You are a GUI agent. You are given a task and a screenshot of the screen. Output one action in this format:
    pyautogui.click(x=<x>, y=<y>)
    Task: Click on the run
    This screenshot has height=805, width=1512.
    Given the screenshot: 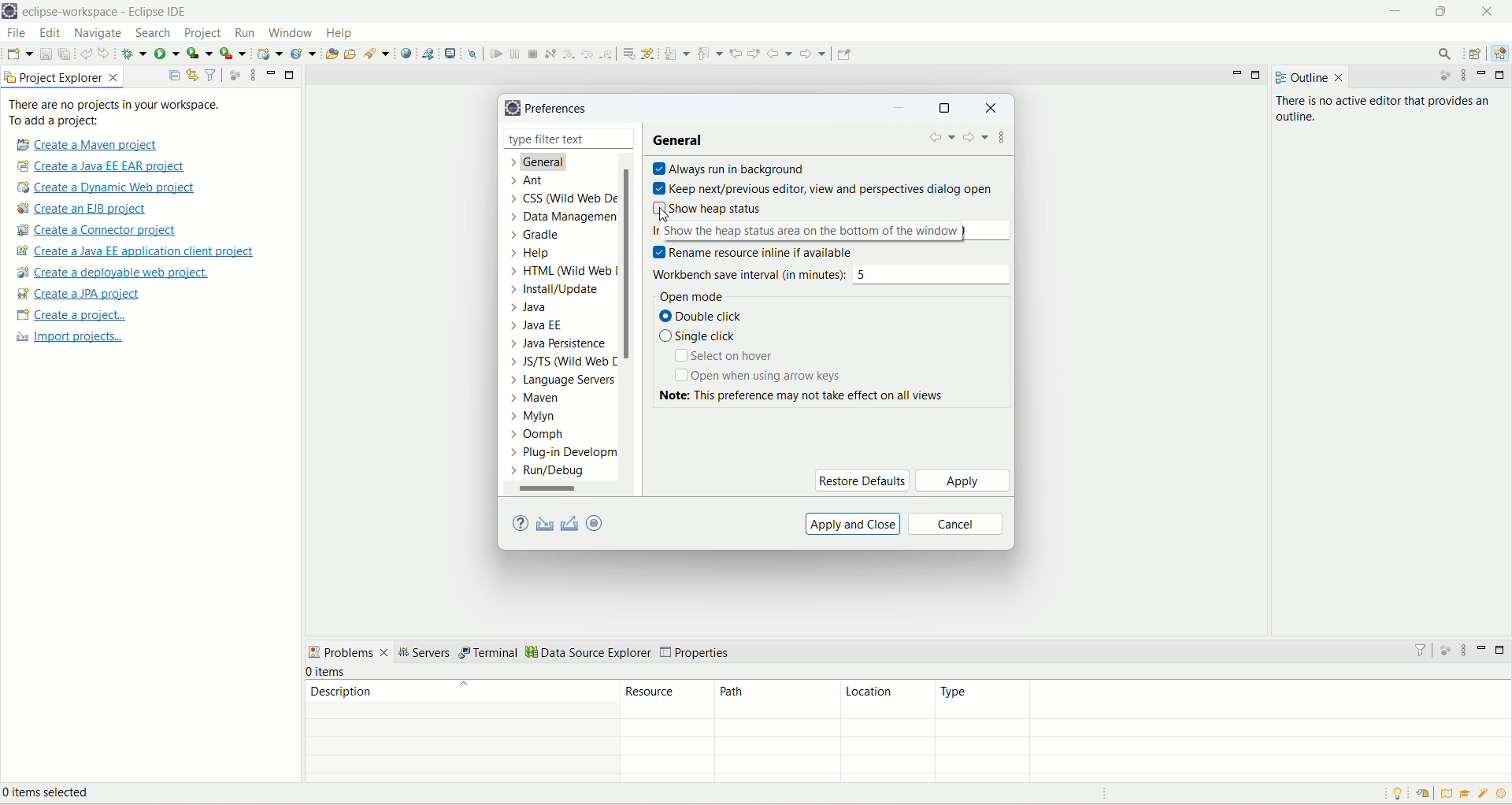 What is the action you would take?
    pyautogui.click(x=166, y=52)
    